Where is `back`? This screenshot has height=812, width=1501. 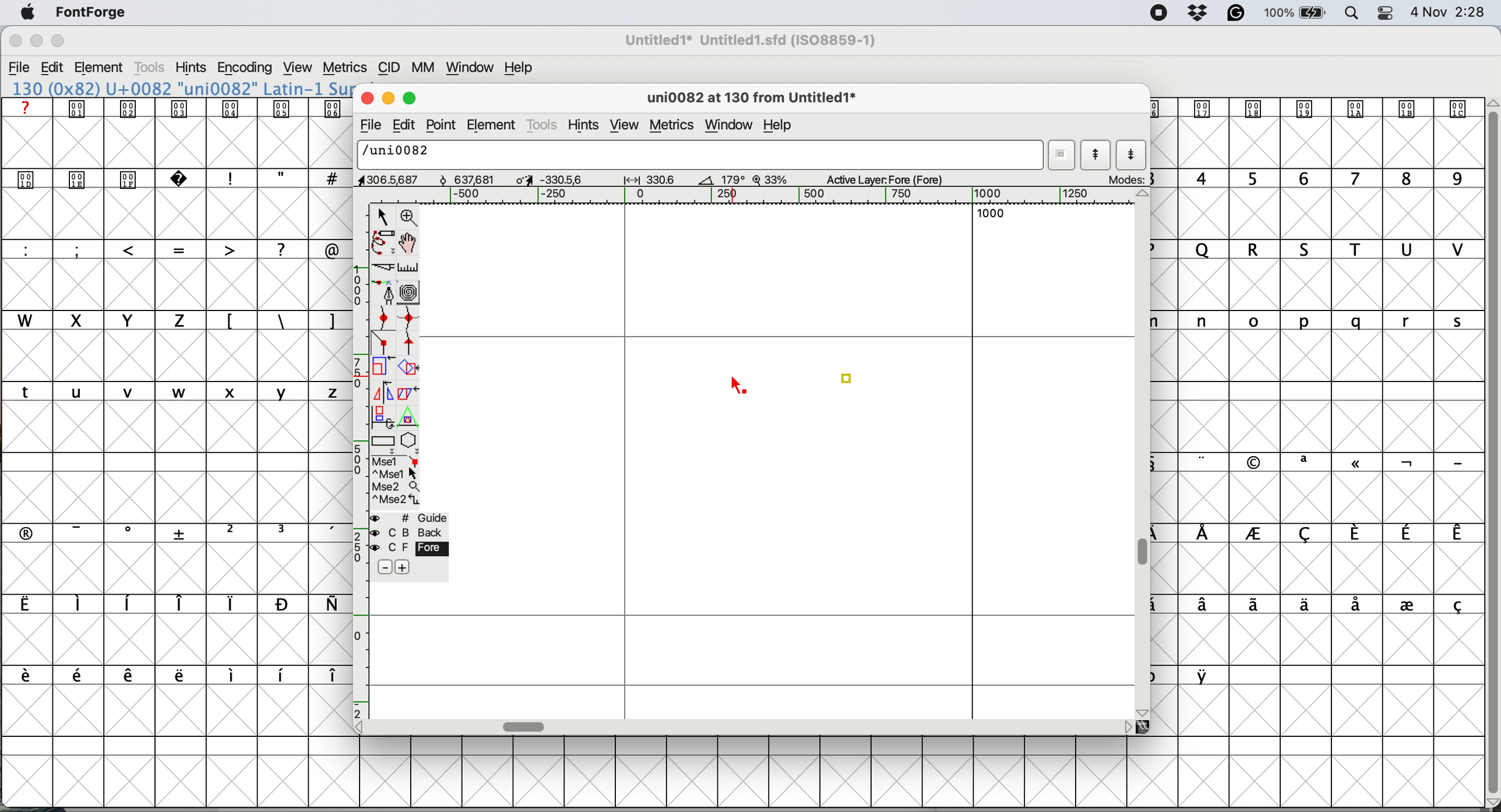
back is located at coordinates (410, 532).